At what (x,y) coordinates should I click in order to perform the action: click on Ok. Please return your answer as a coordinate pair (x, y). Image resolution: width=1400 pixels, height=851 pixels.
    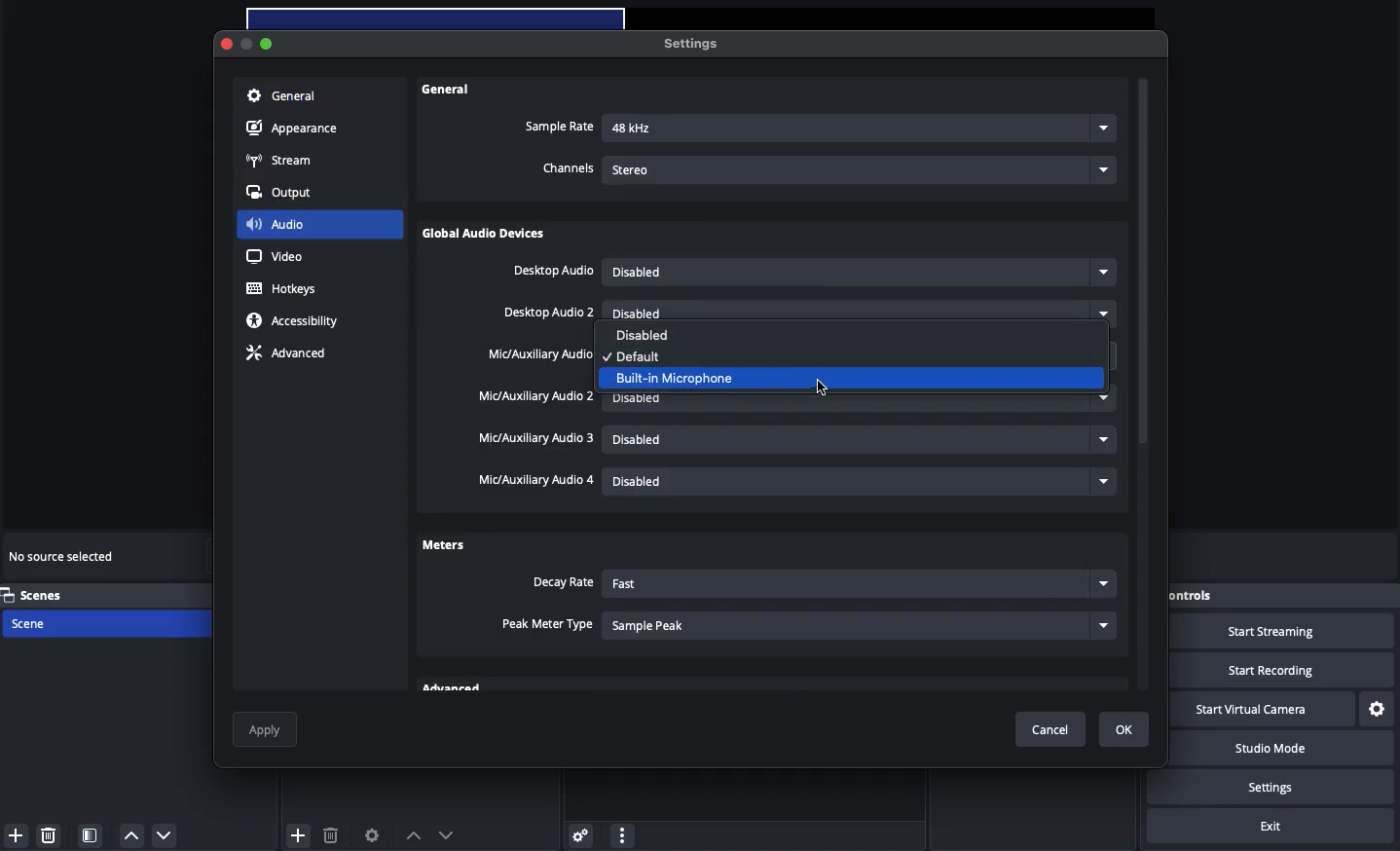
    Looking at the image, I should click on (1124, 729).